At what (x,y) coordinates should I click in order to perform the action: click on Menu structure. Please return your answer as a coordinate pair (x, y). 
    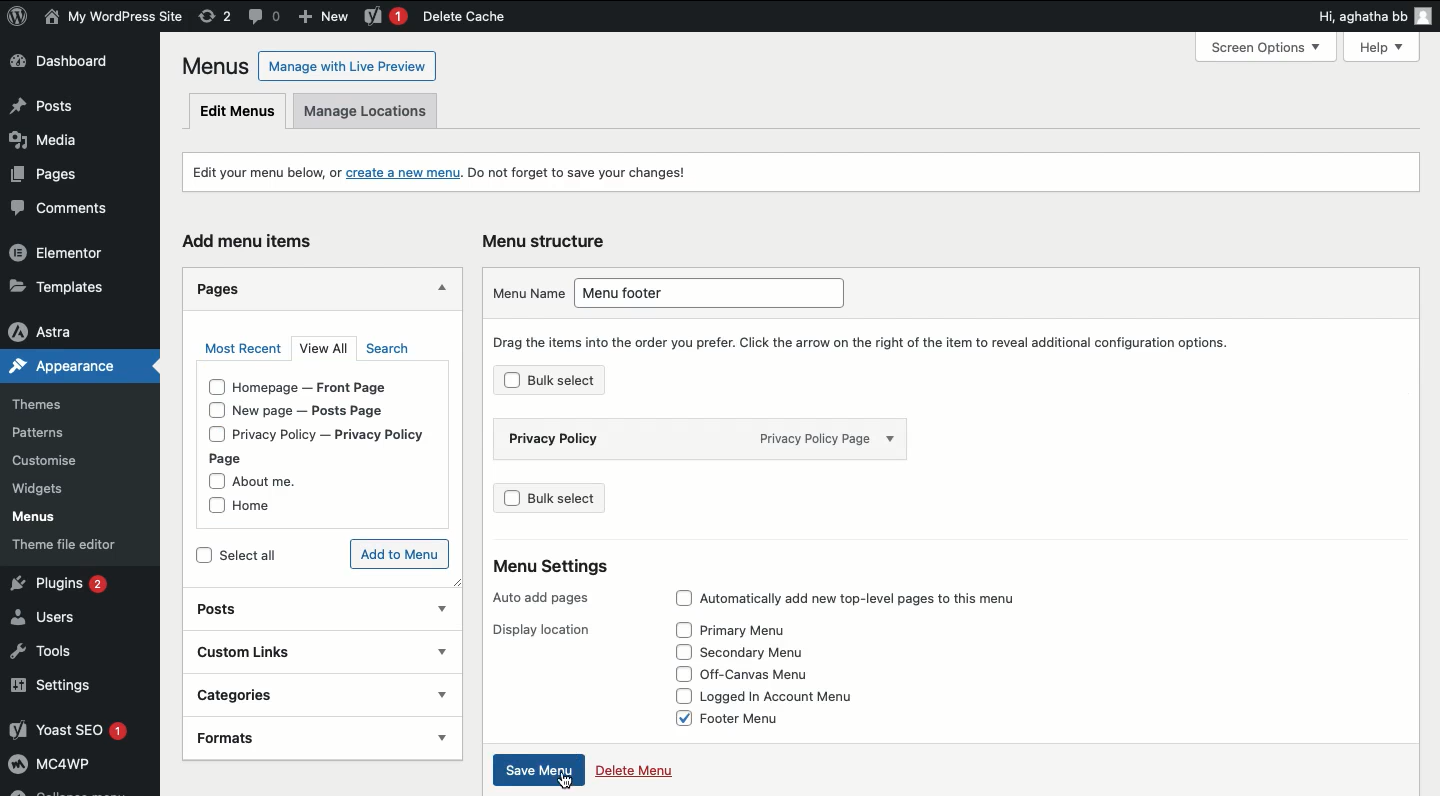
    Looking at the image, I should click on (548, 239).